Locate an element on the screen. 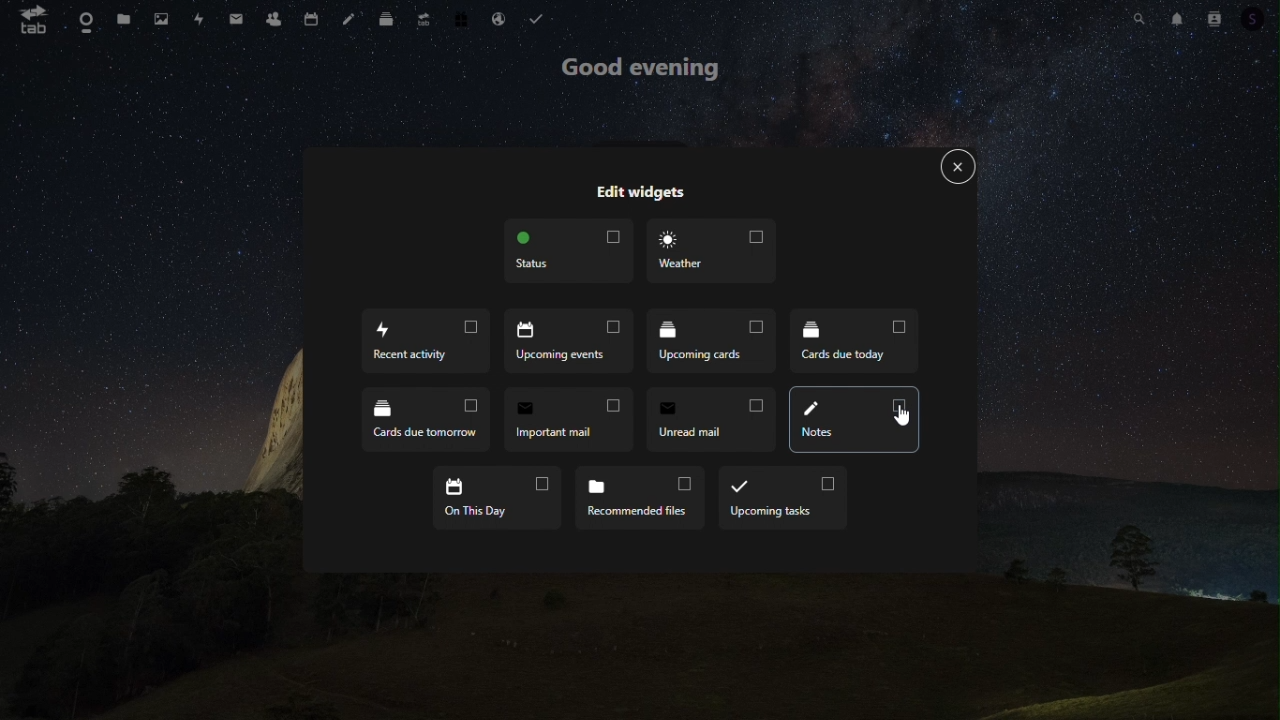 Image resolution: width=1280 pixels, height=720 pixels. task is located at coordinates (540, 17).